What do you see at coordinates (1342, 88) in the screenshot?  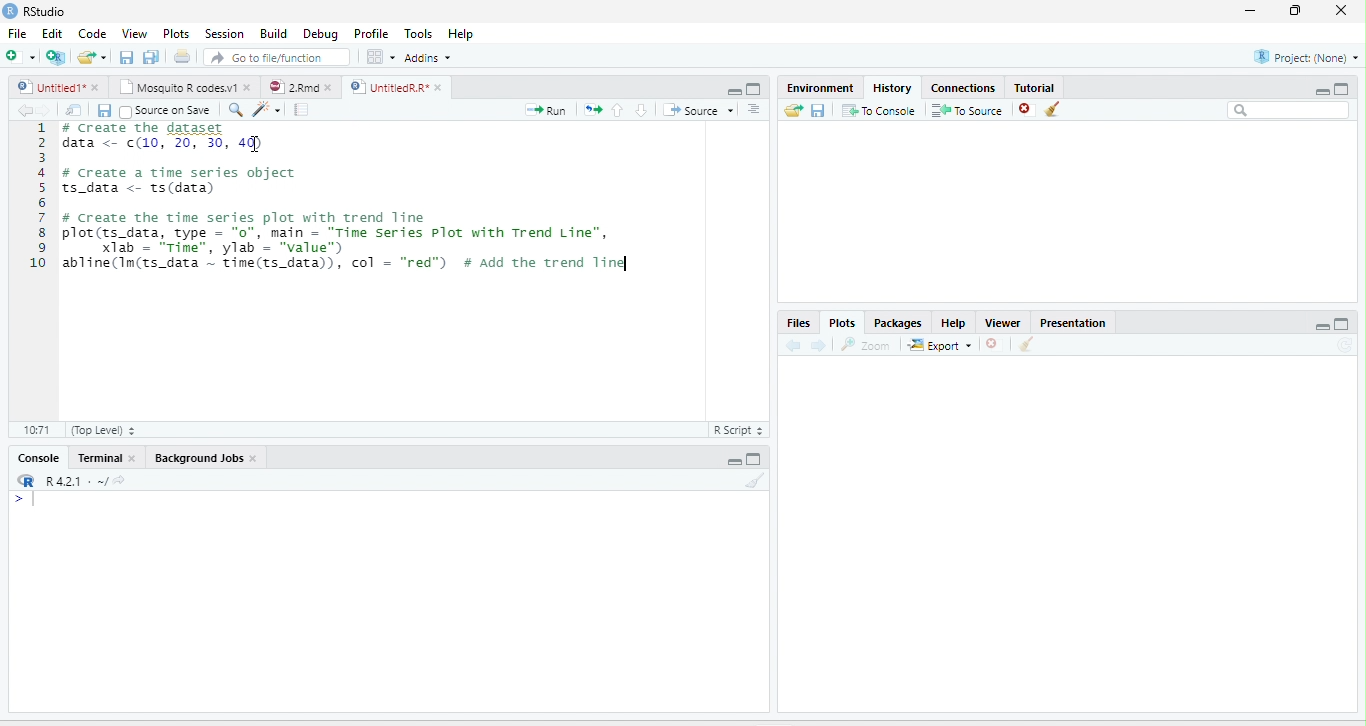 I see `Maximize` at bounding box center [1342, 88].